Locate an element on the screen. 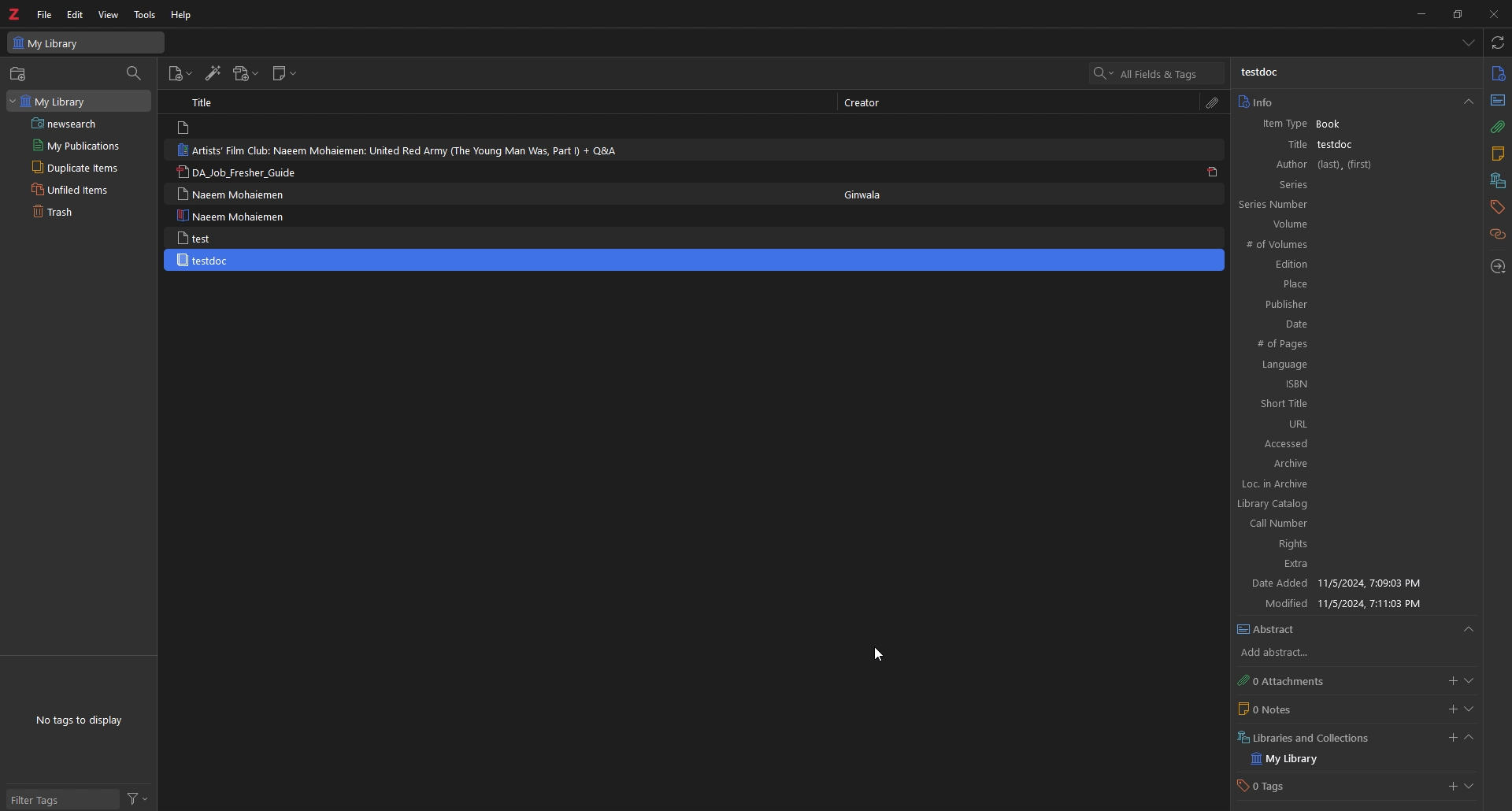  DA_Job_Fresher_Guide is located at coordinates (244, 173).